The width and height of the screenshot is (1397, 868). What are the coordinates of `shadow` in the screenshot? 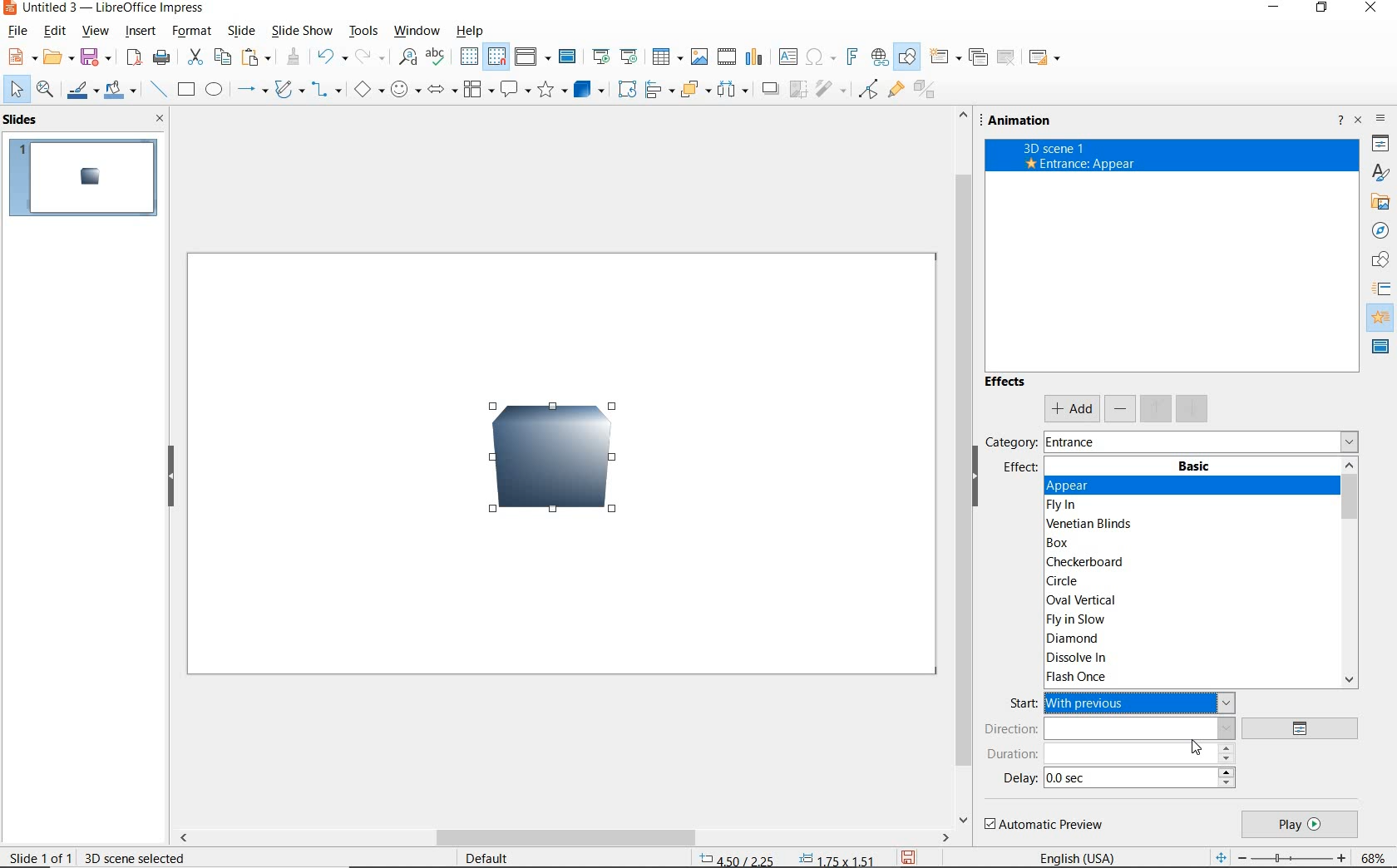 It's located at (773, 89).